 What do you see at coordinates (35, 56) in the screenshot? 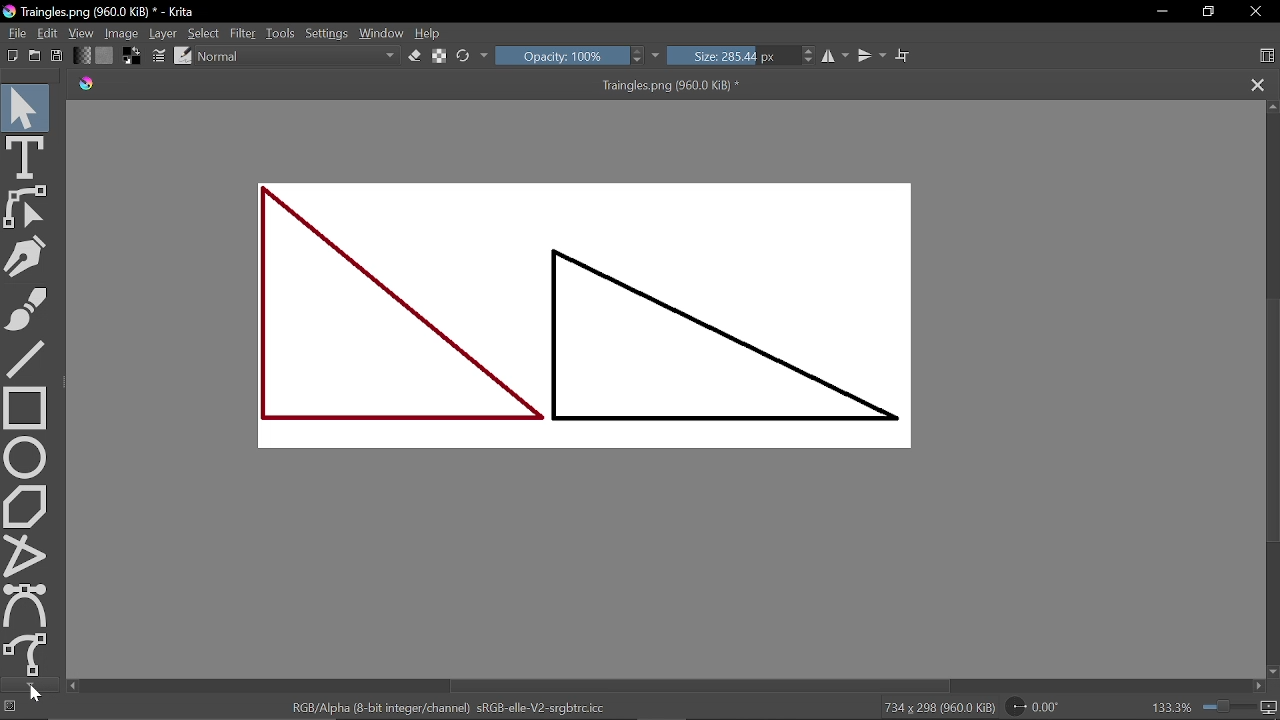
I see `Open existing document ` at bounding box center [35, 56].